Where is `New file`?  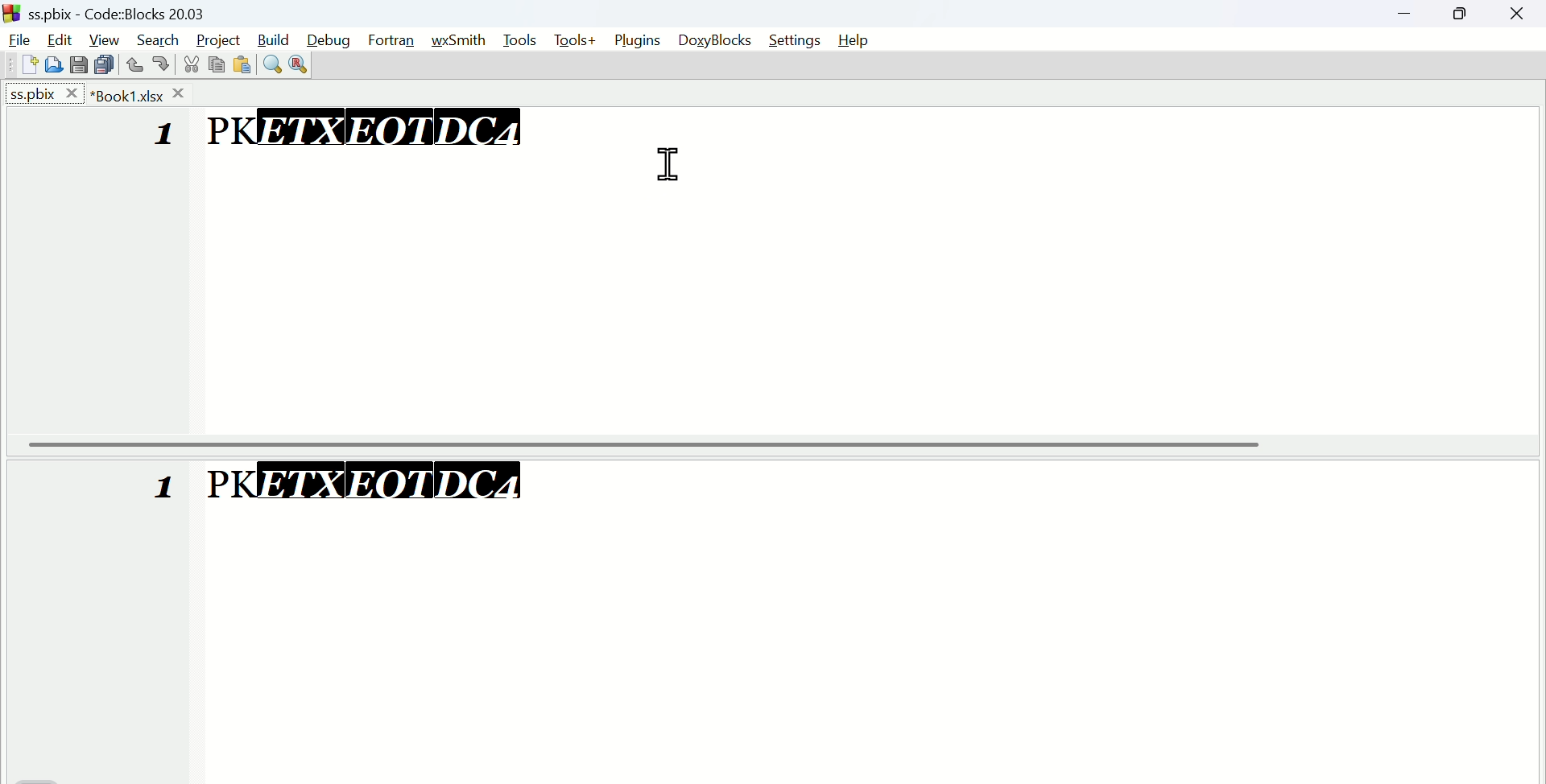
New file is located at coordinates (25, 64).